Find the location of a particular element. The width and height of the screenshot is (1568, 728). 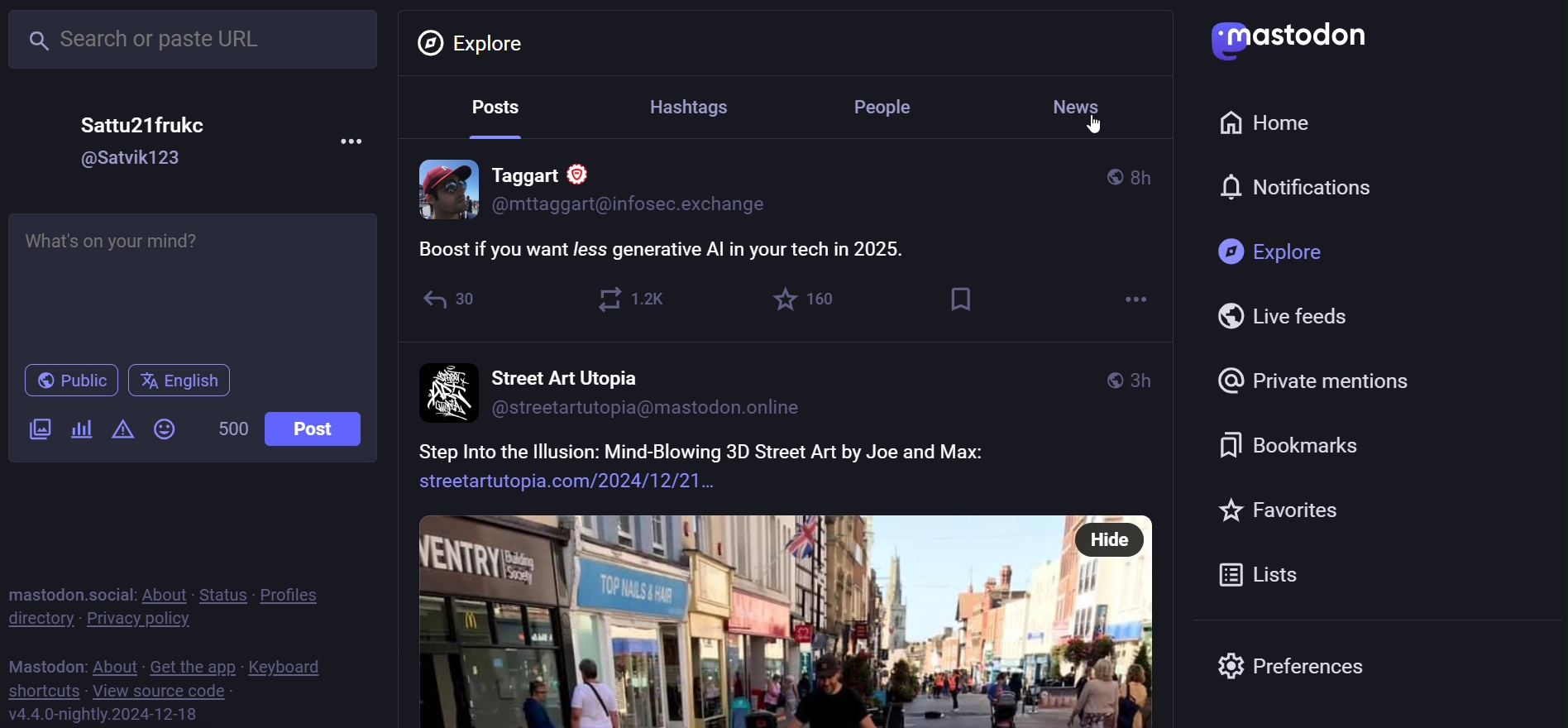

shortcut is located at coordinates (45, 692).